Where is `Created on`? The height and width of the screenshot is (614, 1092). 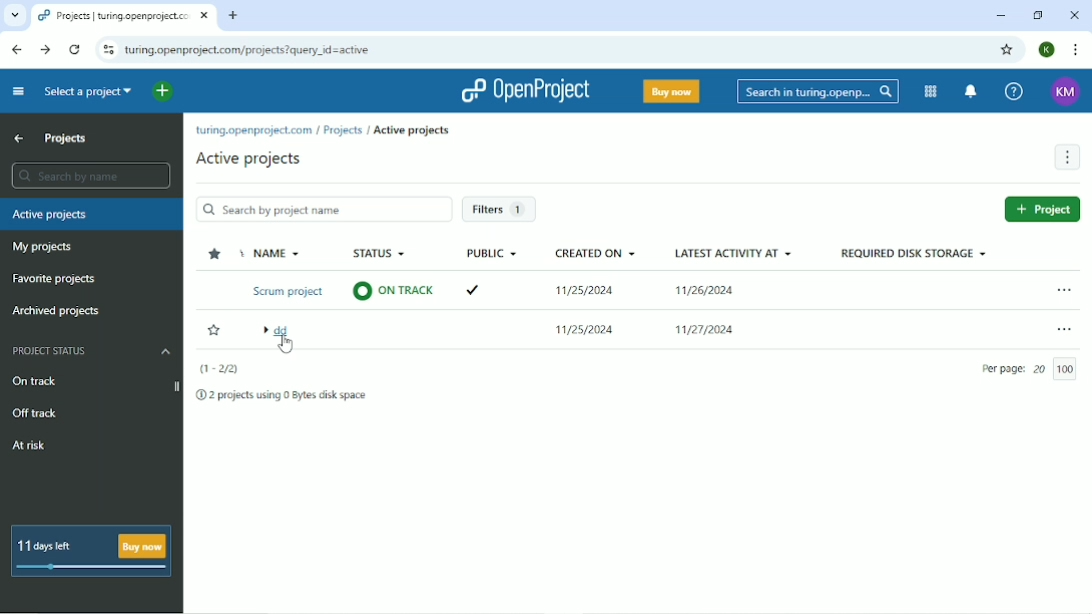
Created on is located at coordinates (595, 253).